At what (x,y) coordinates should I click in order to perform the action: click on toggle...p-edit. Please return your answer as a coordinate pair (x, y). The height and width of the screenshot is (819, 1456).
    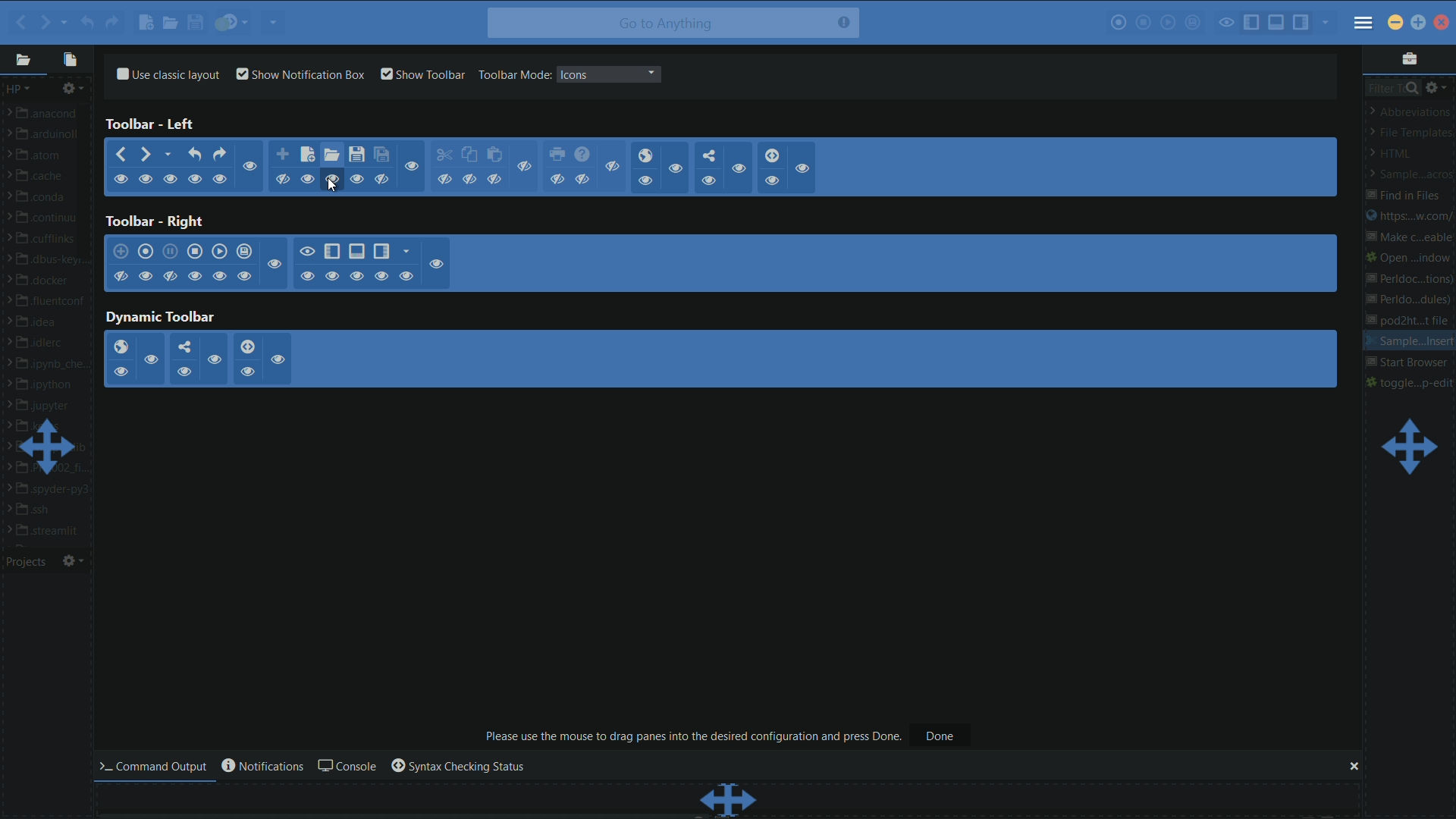
    Looking at the image, I should click on (1410, 382).